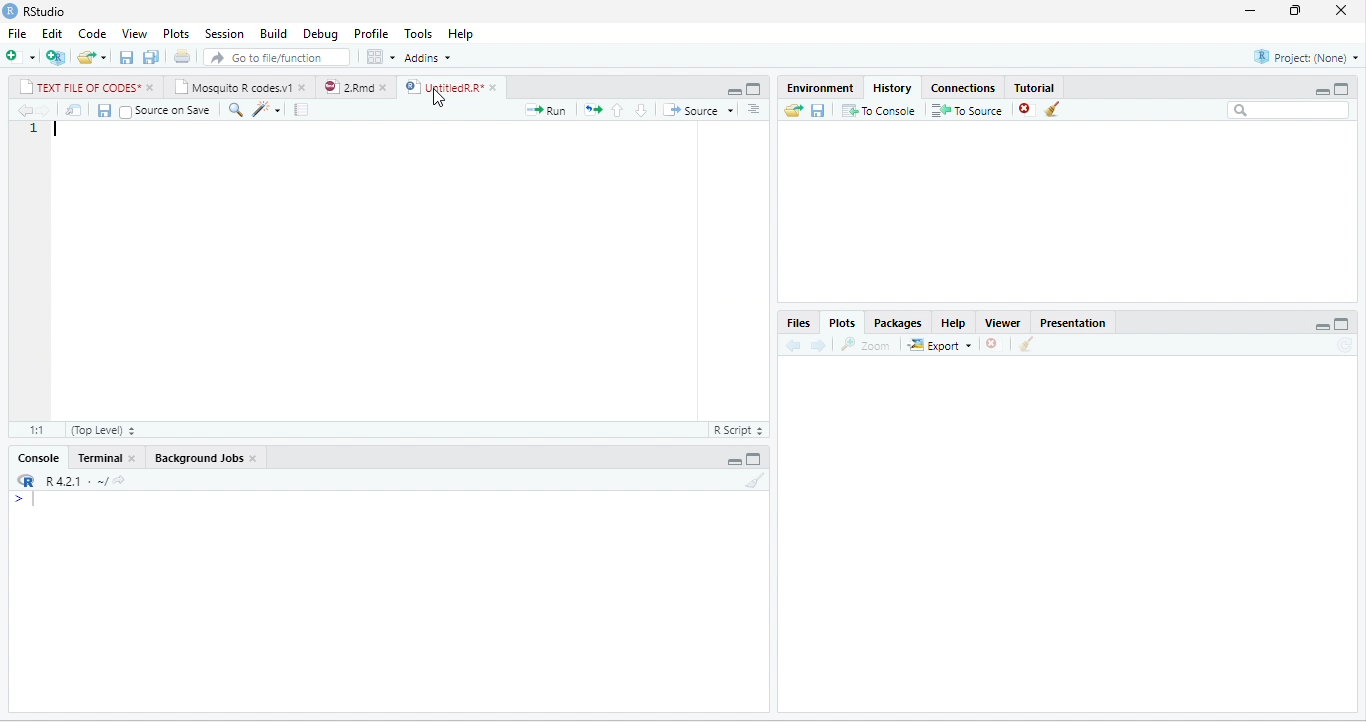  What do you see at coordinates (301, 109) in the screenshot?
I see `compile report` at bounding box center [301, 109].